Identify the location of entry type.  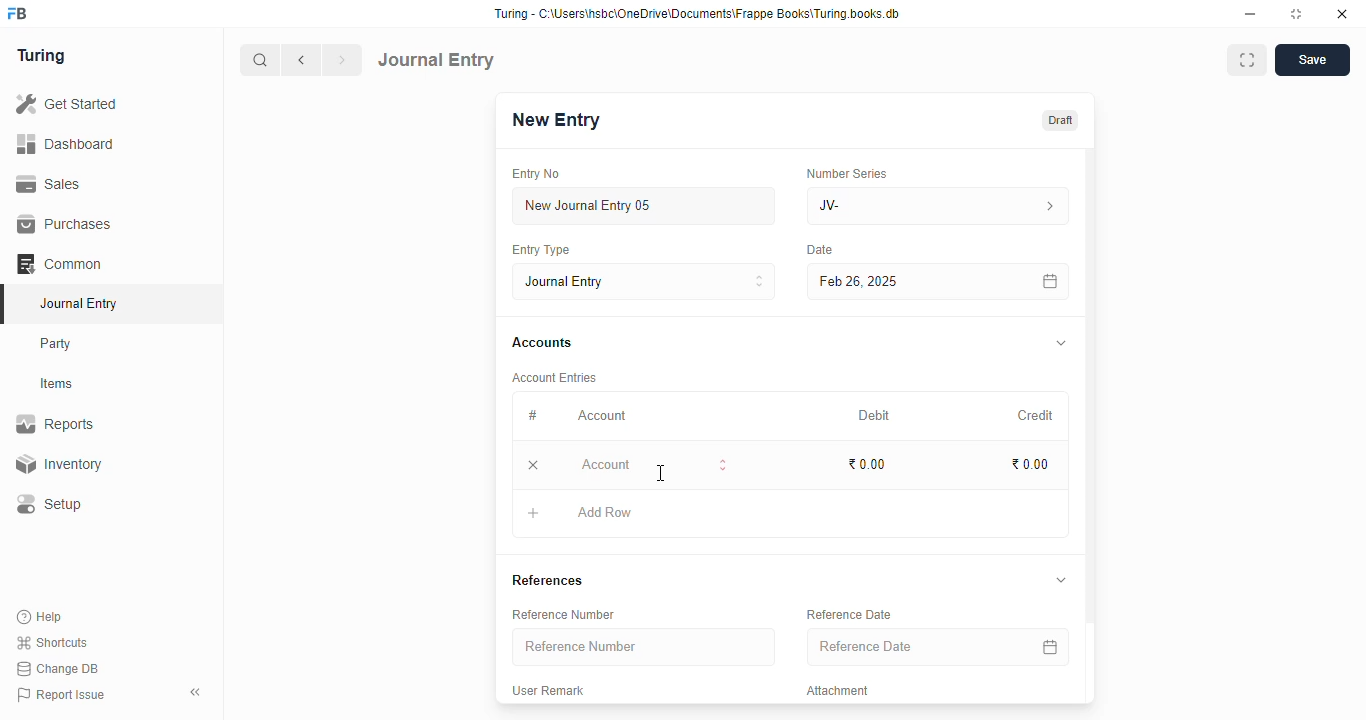
(541, 250).